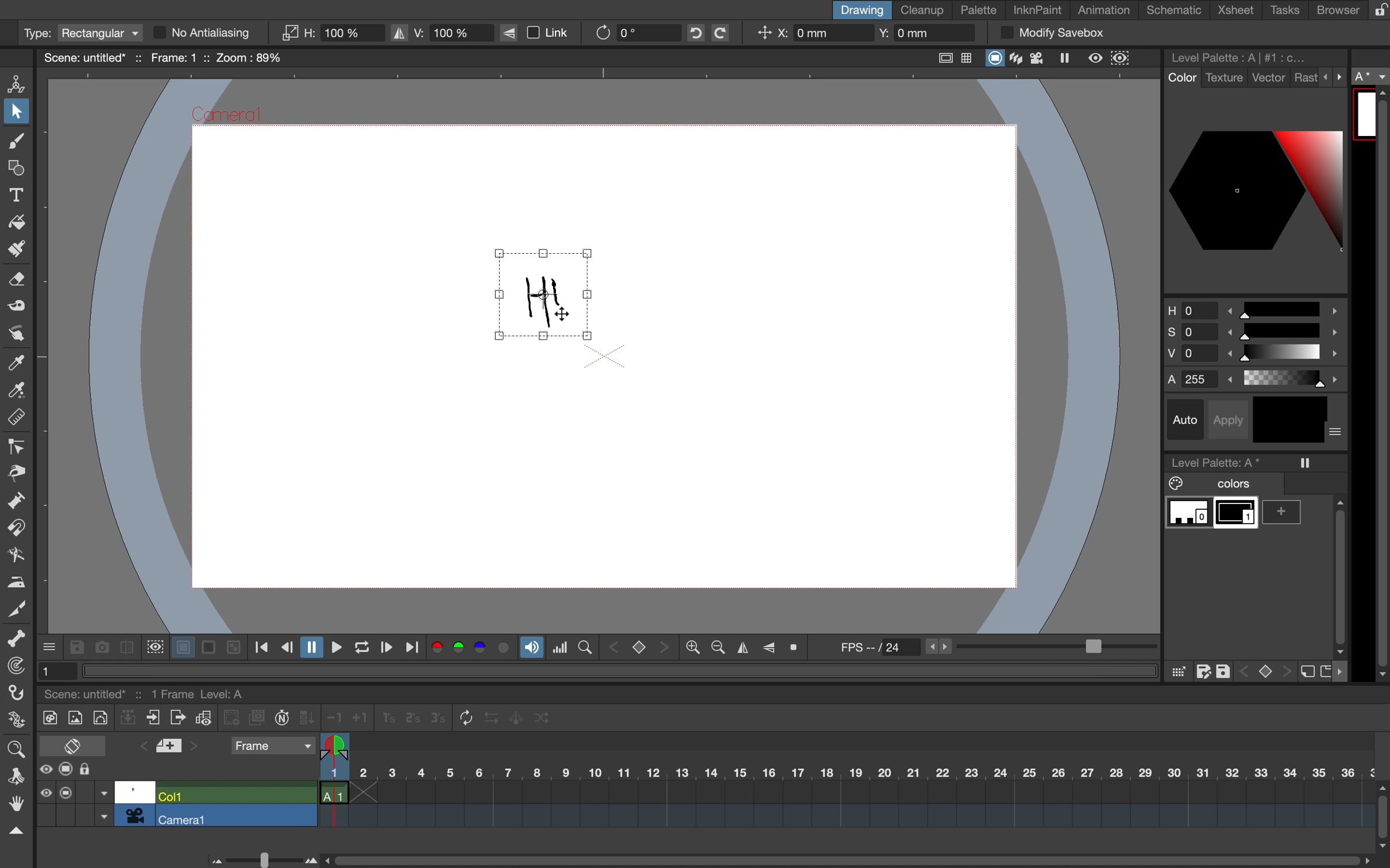 This screenshot has height=868, width=1390. I want to click on rotate tool, so click(12, 774).